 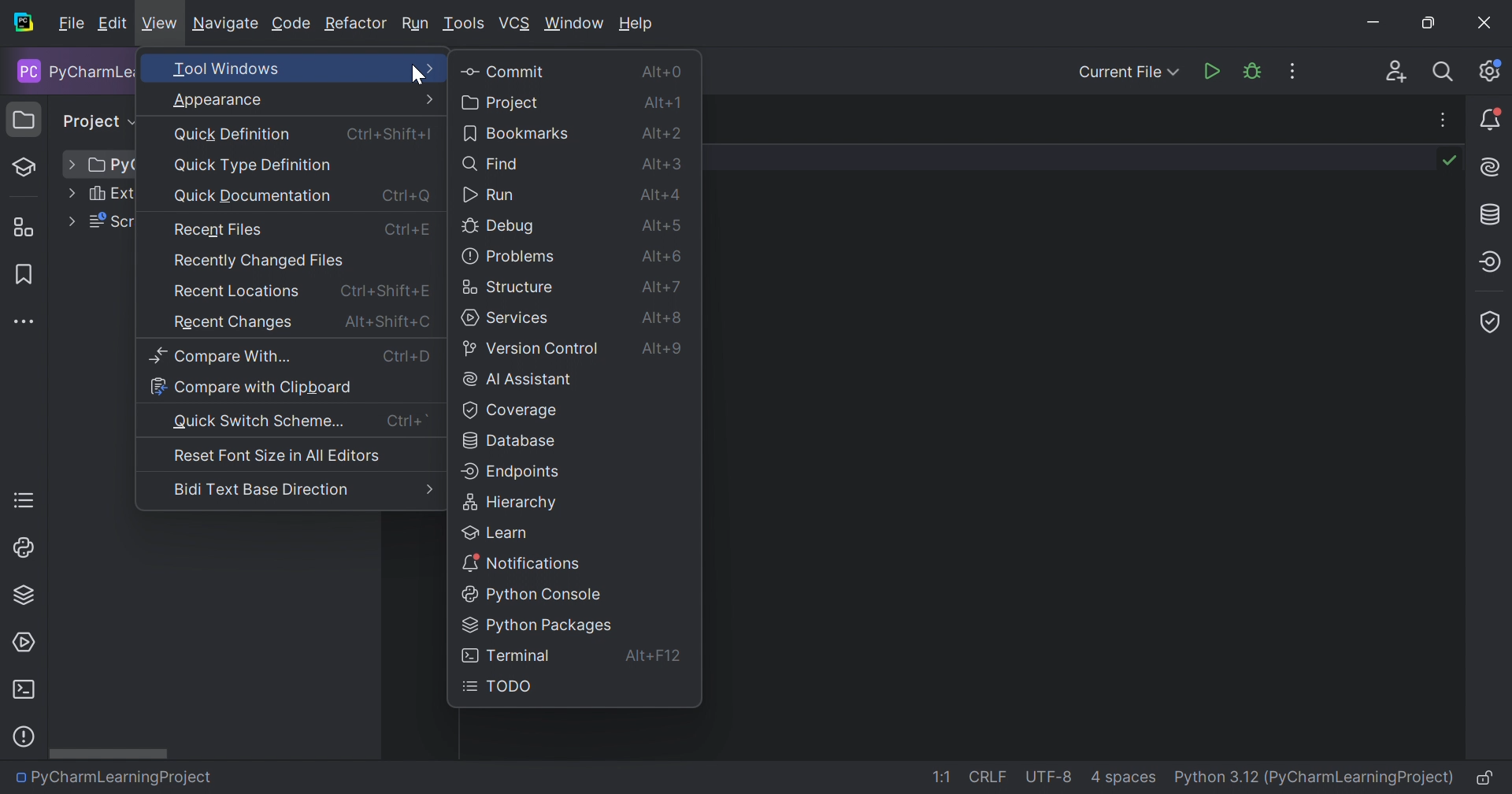 I want to click on More actions, so click(x=1294, y=70).